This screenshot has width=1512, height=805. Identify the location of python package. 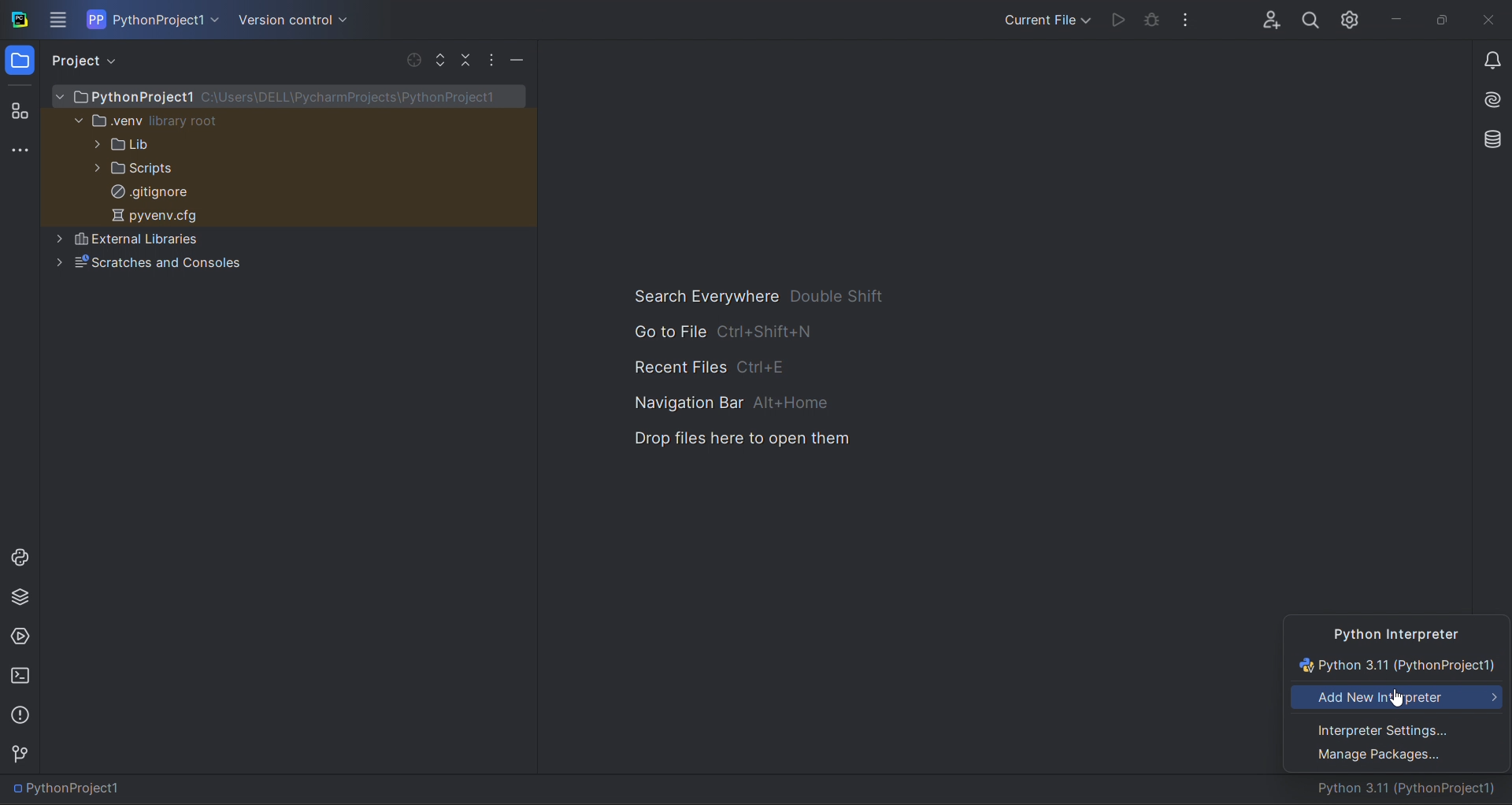
(20, 600).